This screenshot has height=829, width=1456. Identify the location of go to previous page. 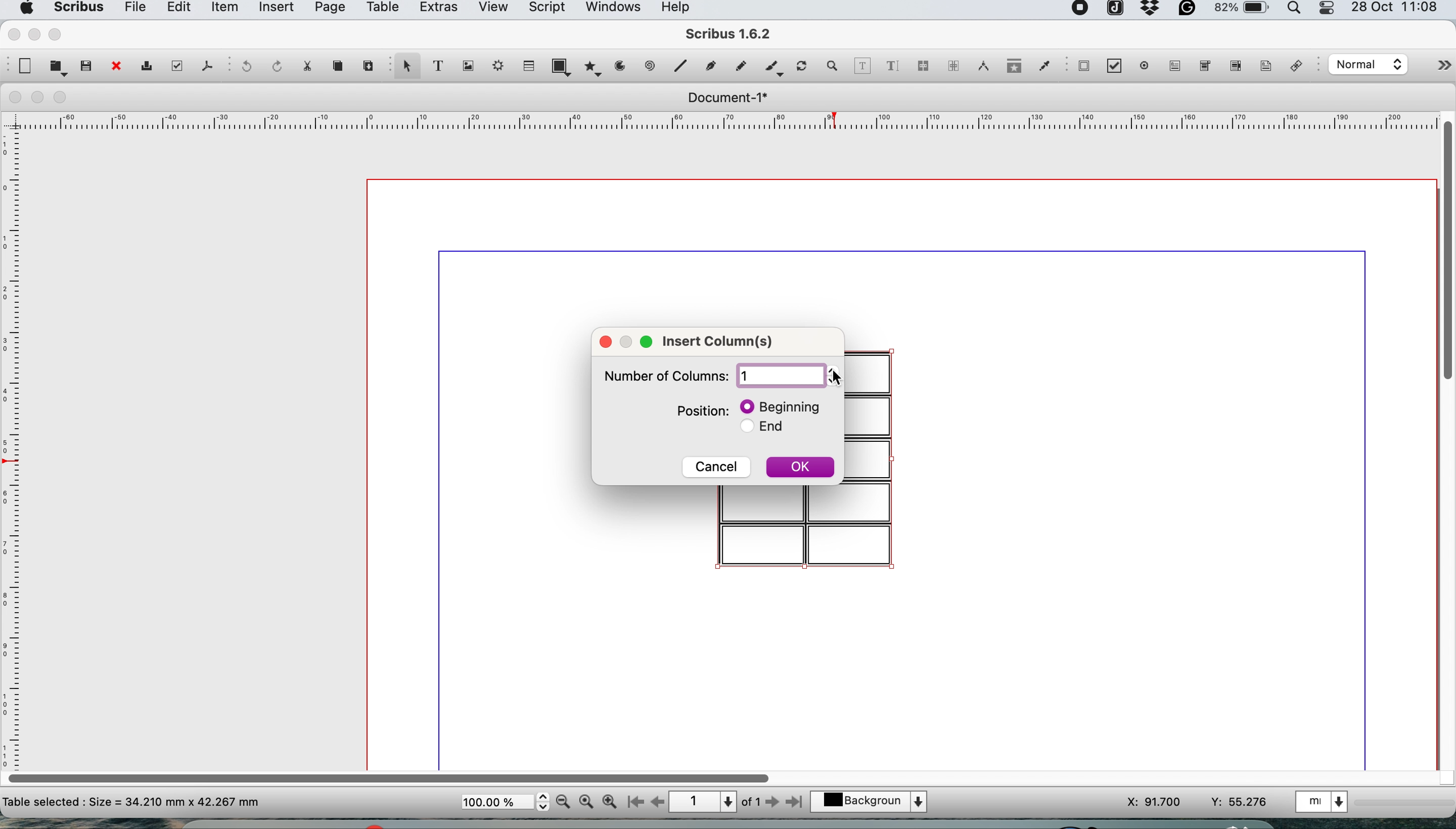
(657, 803).